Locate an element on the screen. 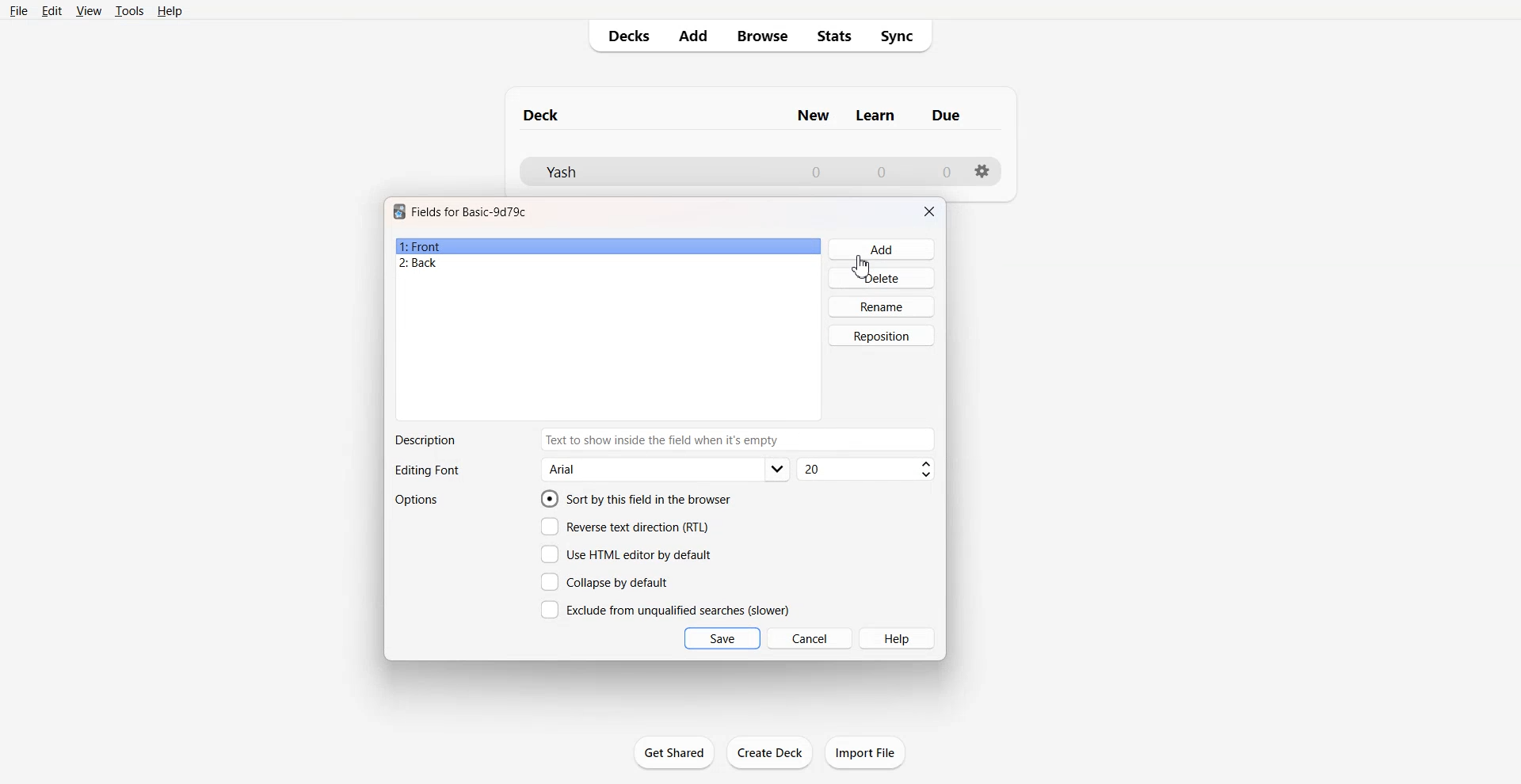  Stats is located at coordinates (835, 36).